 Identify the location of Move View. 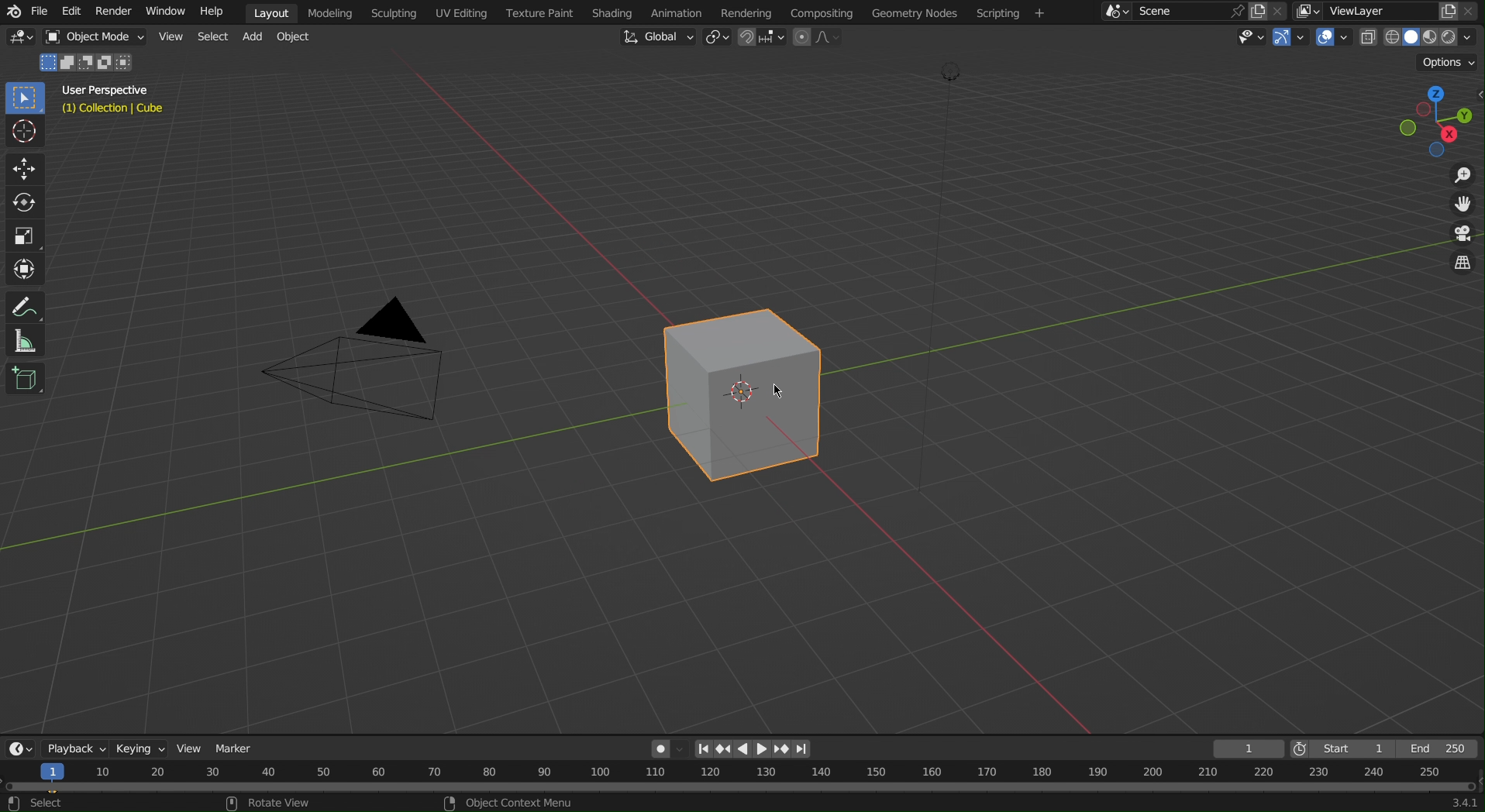
(1461, 205).